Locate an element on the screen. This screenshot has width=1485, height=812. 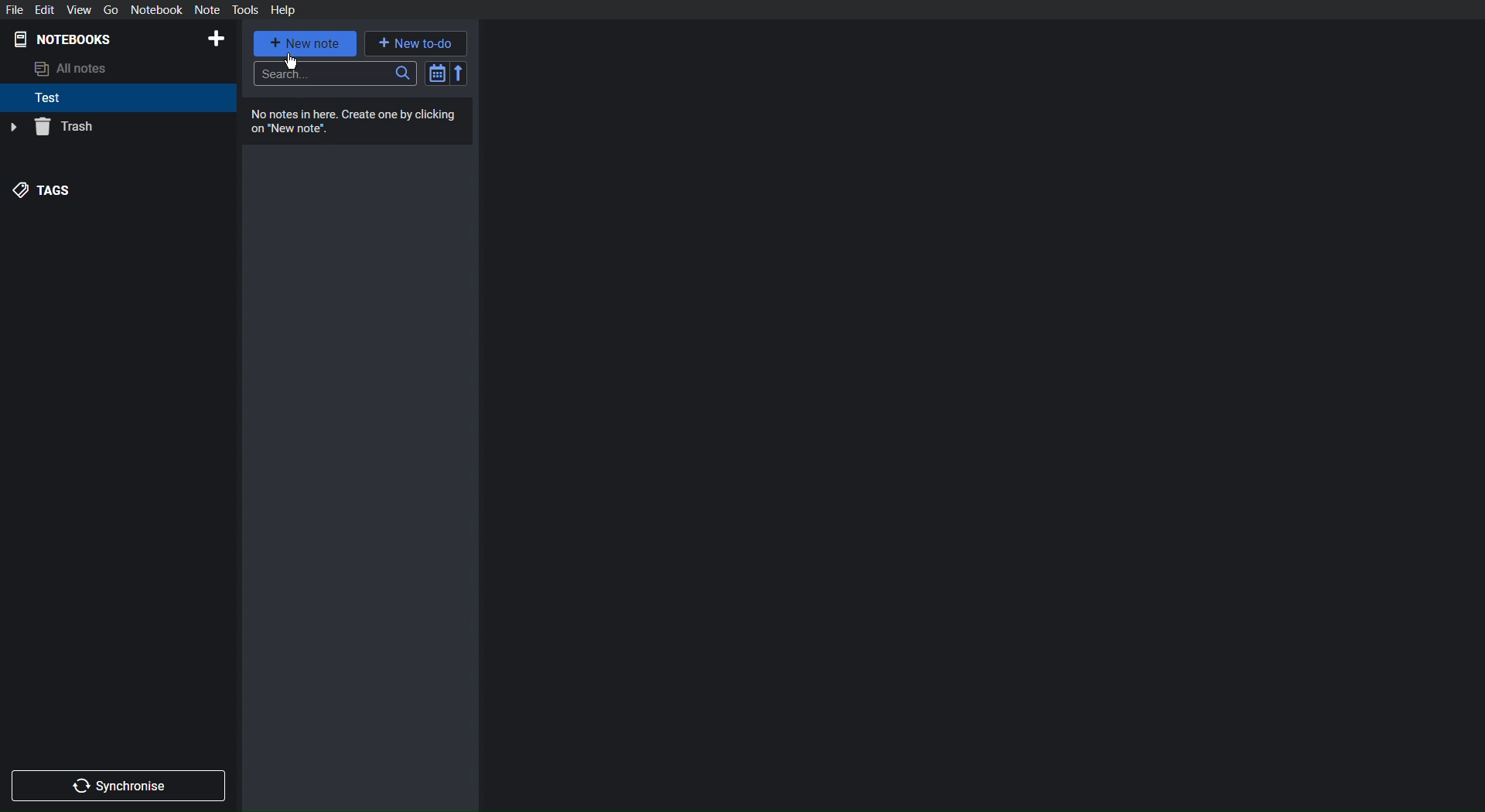
Search is located at coordinates (335, 74).